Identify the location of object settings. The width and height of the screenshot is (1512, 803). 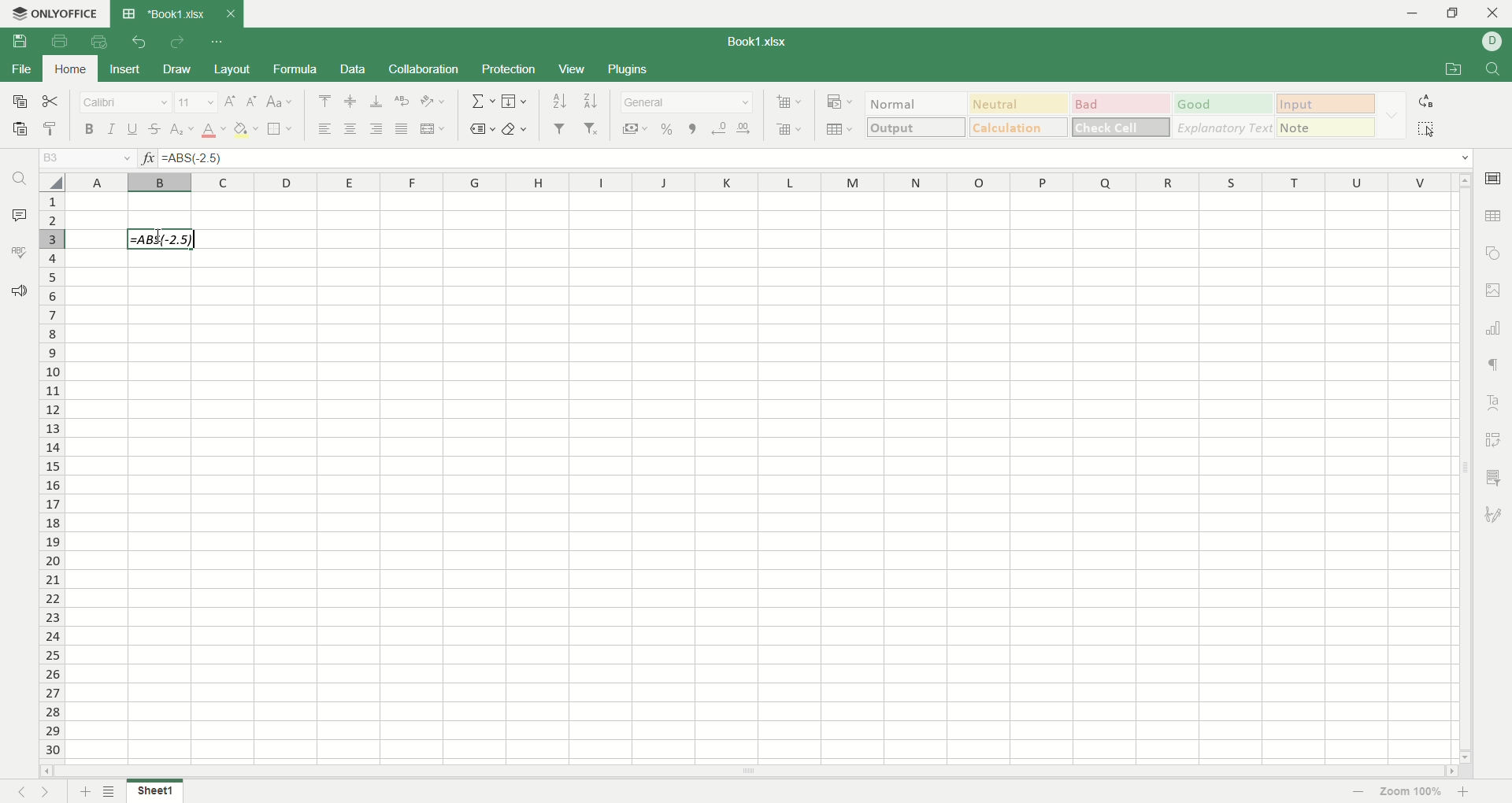
(1492, 252).